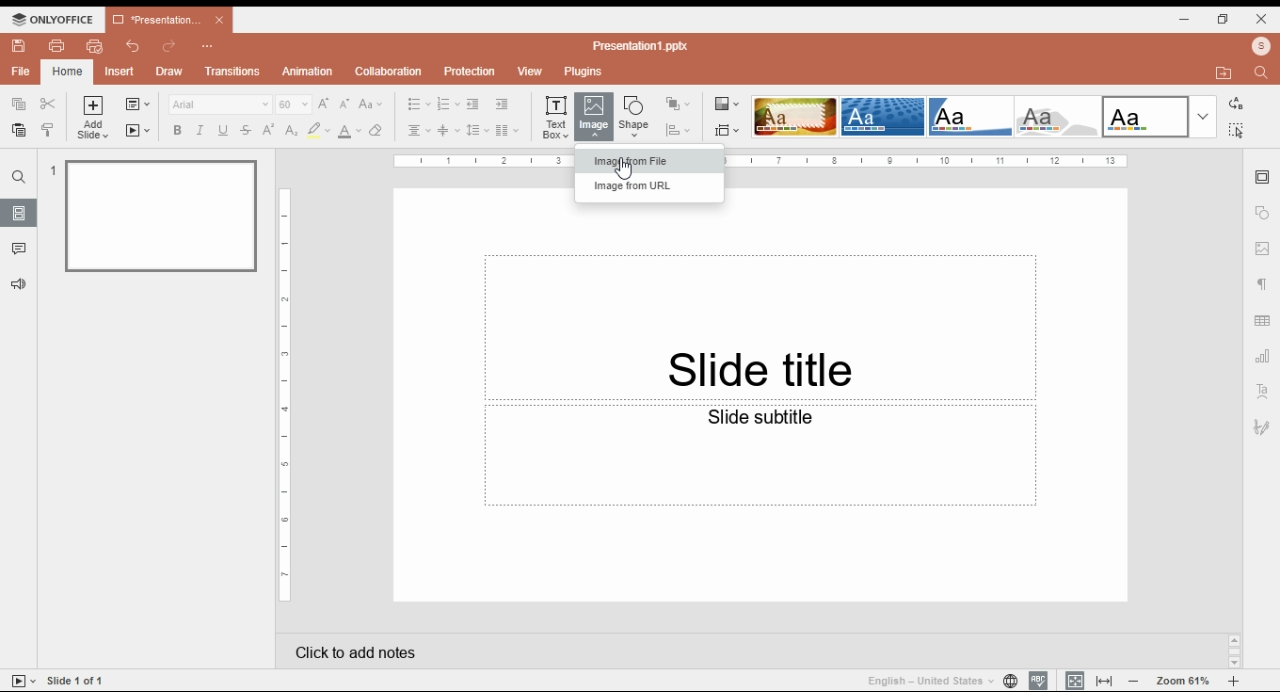  What do you see at coordinates (419, 131) in the screenshot?
I see `horizontal alignment` at bounding box center [419, 131].